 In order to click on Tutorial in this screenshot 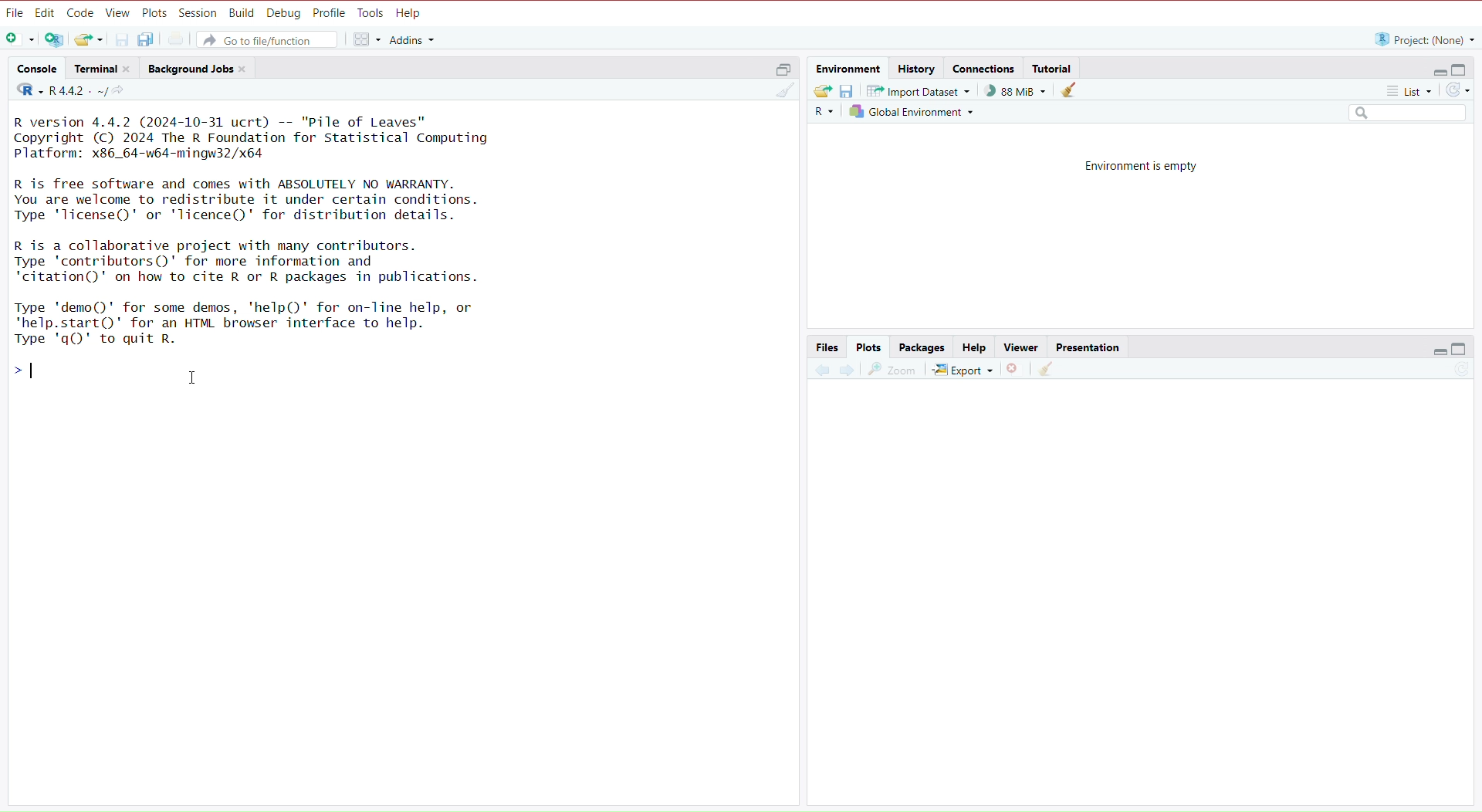, I will do `click(1054, 67)`.